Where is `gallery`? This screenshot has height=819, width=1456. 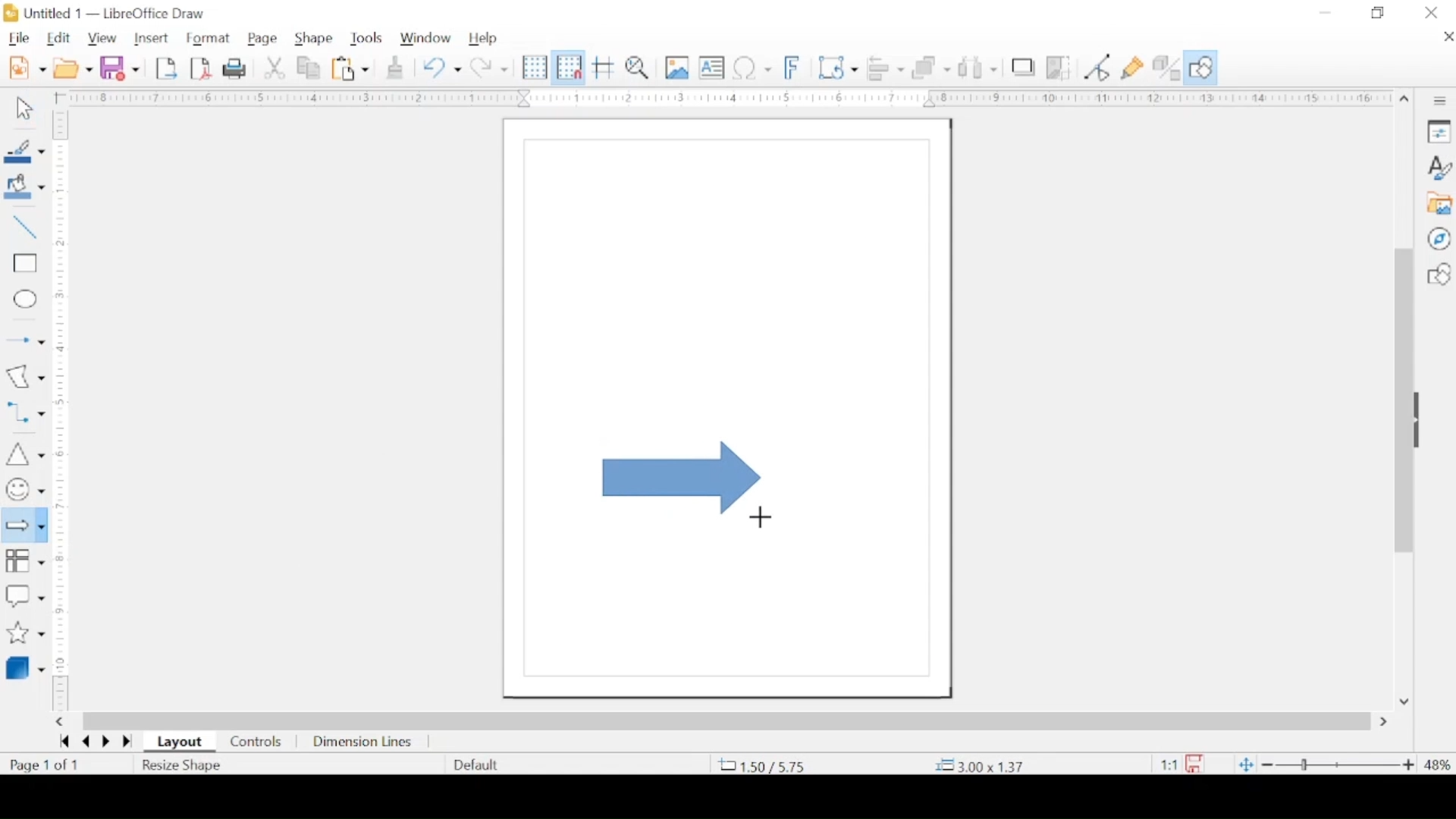 gallery is located at coordinates (1439, 203).